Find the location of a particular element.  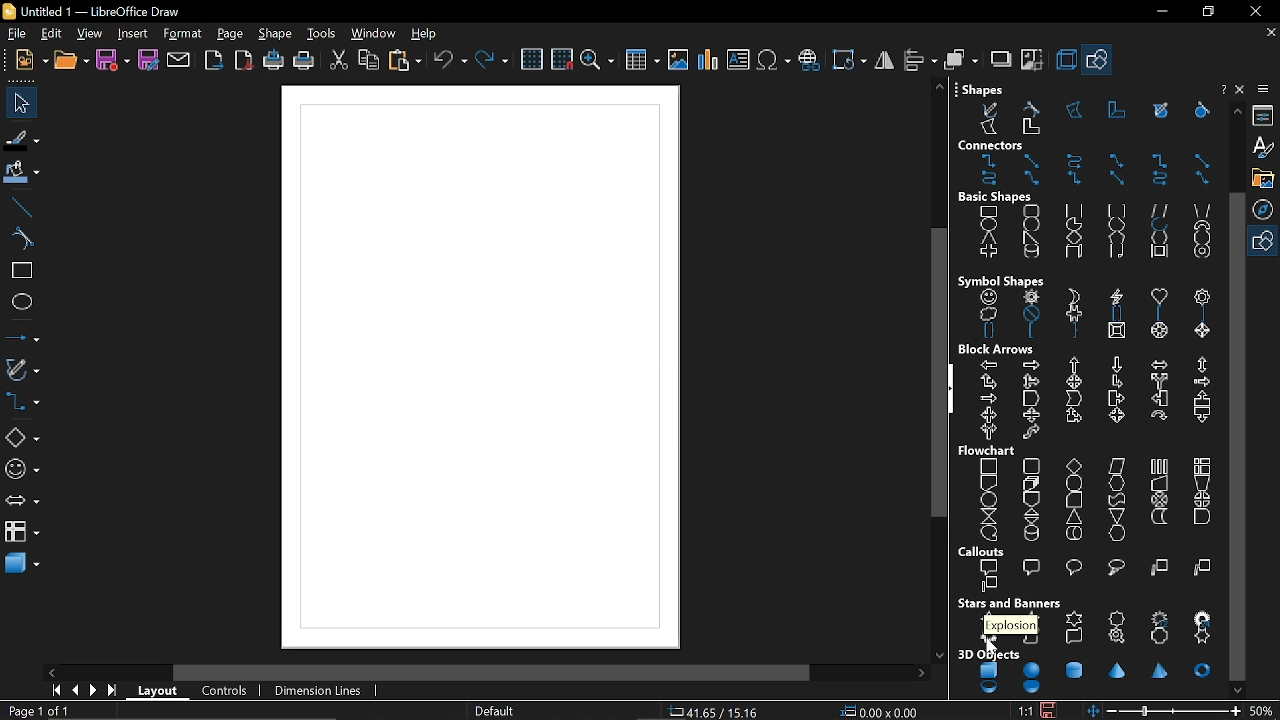

help is located at coordinates (426, 34).